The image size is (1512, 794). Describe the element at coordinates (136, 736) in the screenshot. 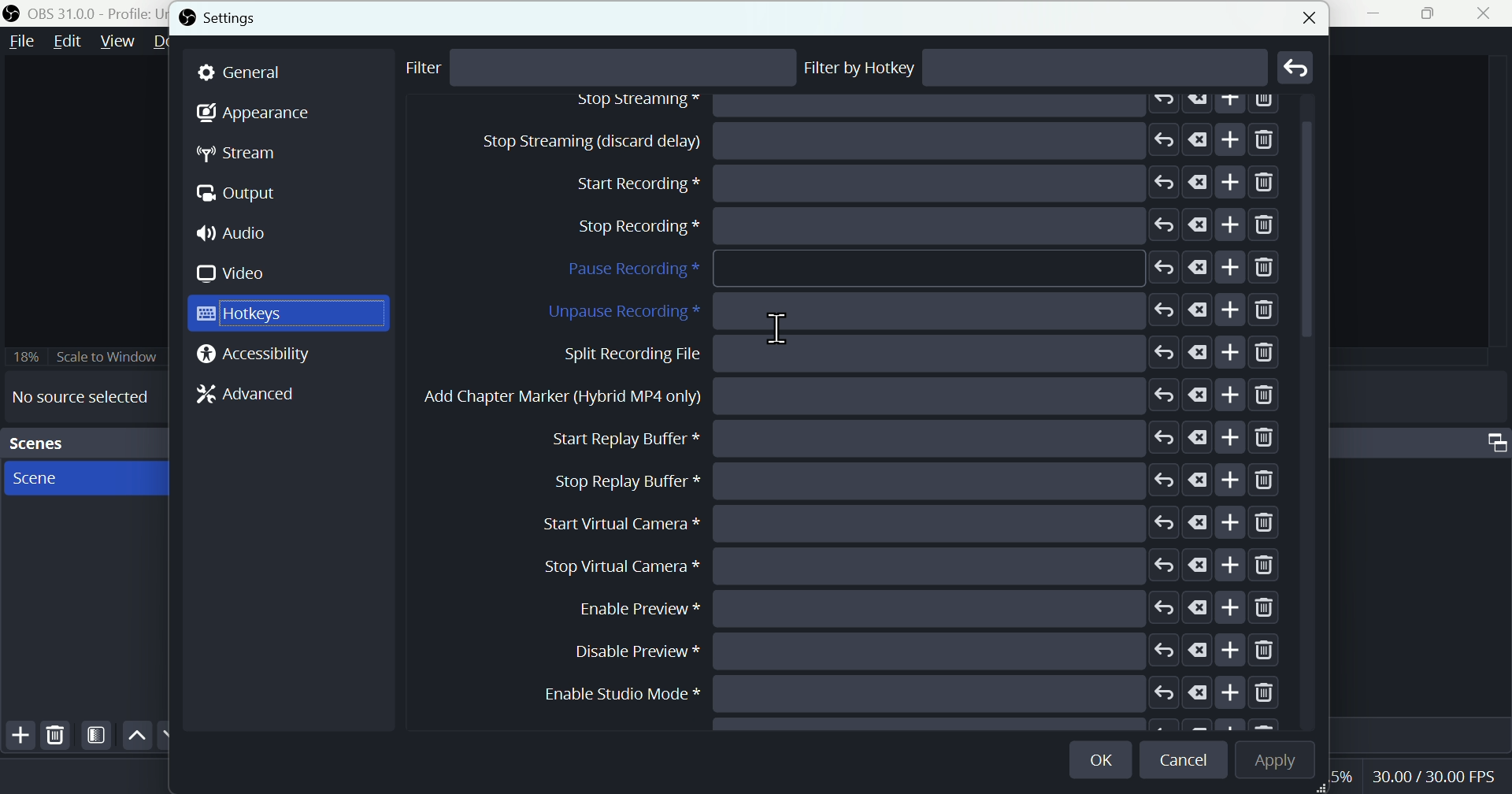

I see `up` at that location.